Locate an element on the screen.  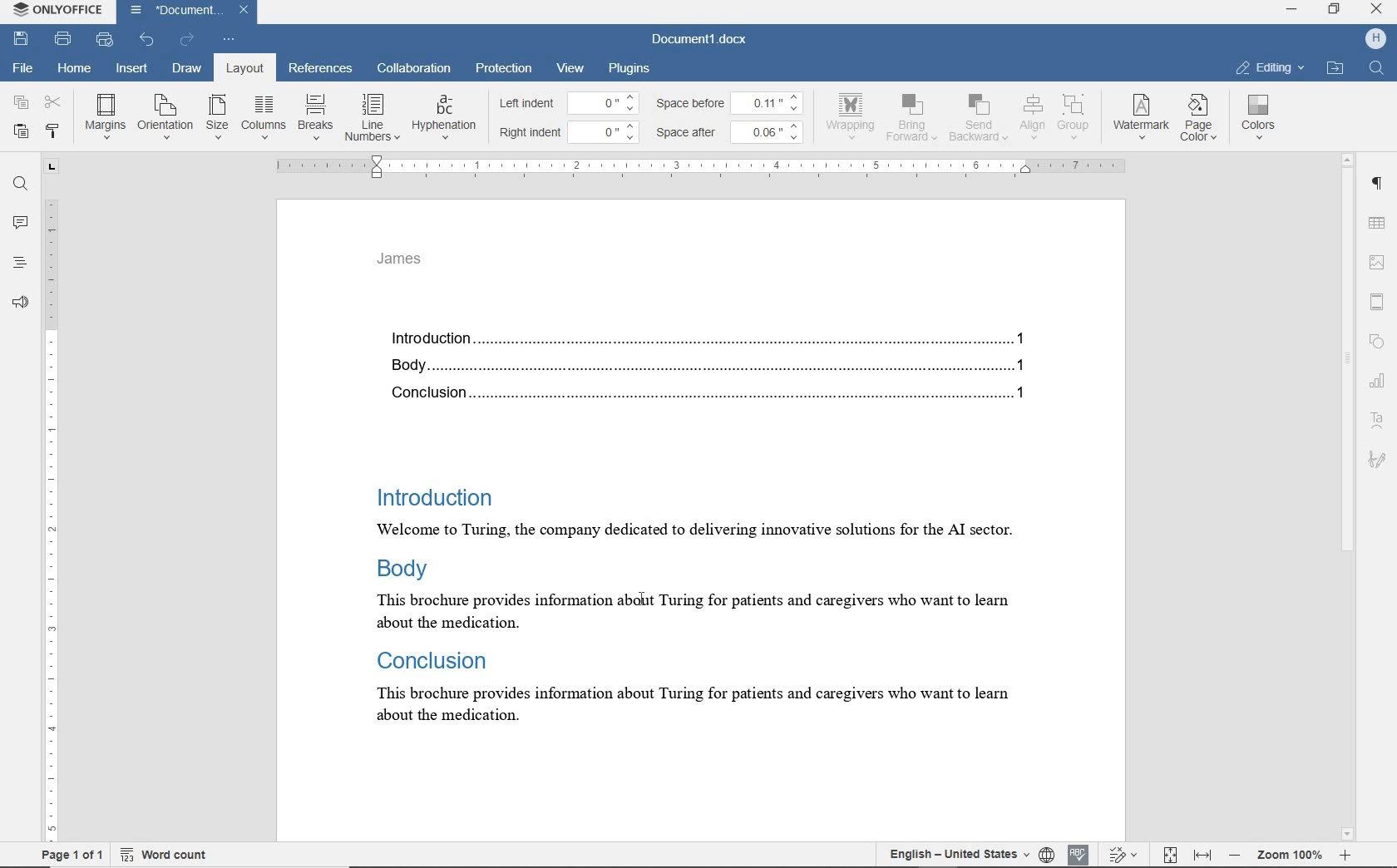
feedback & support is located at coordinates (19, 303).